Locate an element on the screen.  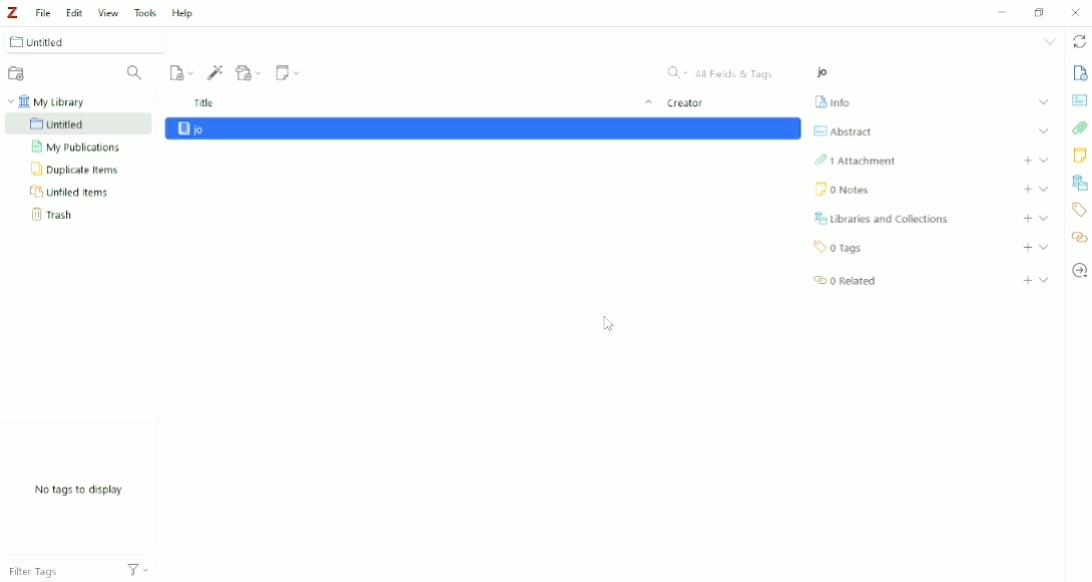
Cursor is located at coordinates (607, 322).